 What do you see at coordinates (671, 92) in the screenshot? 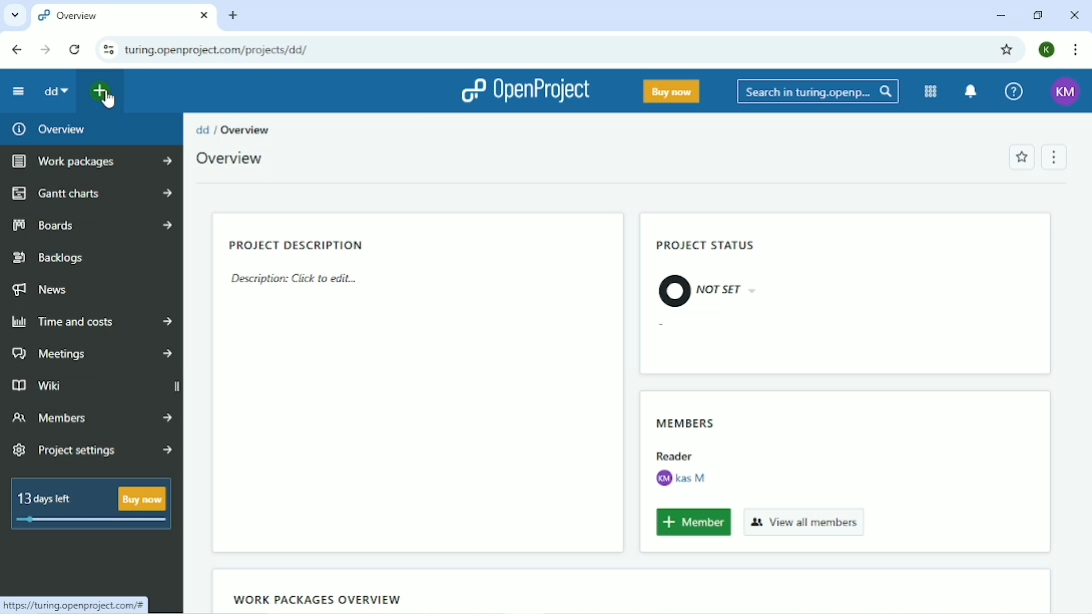
I see `Buy now` at bounding box center [671, 92].